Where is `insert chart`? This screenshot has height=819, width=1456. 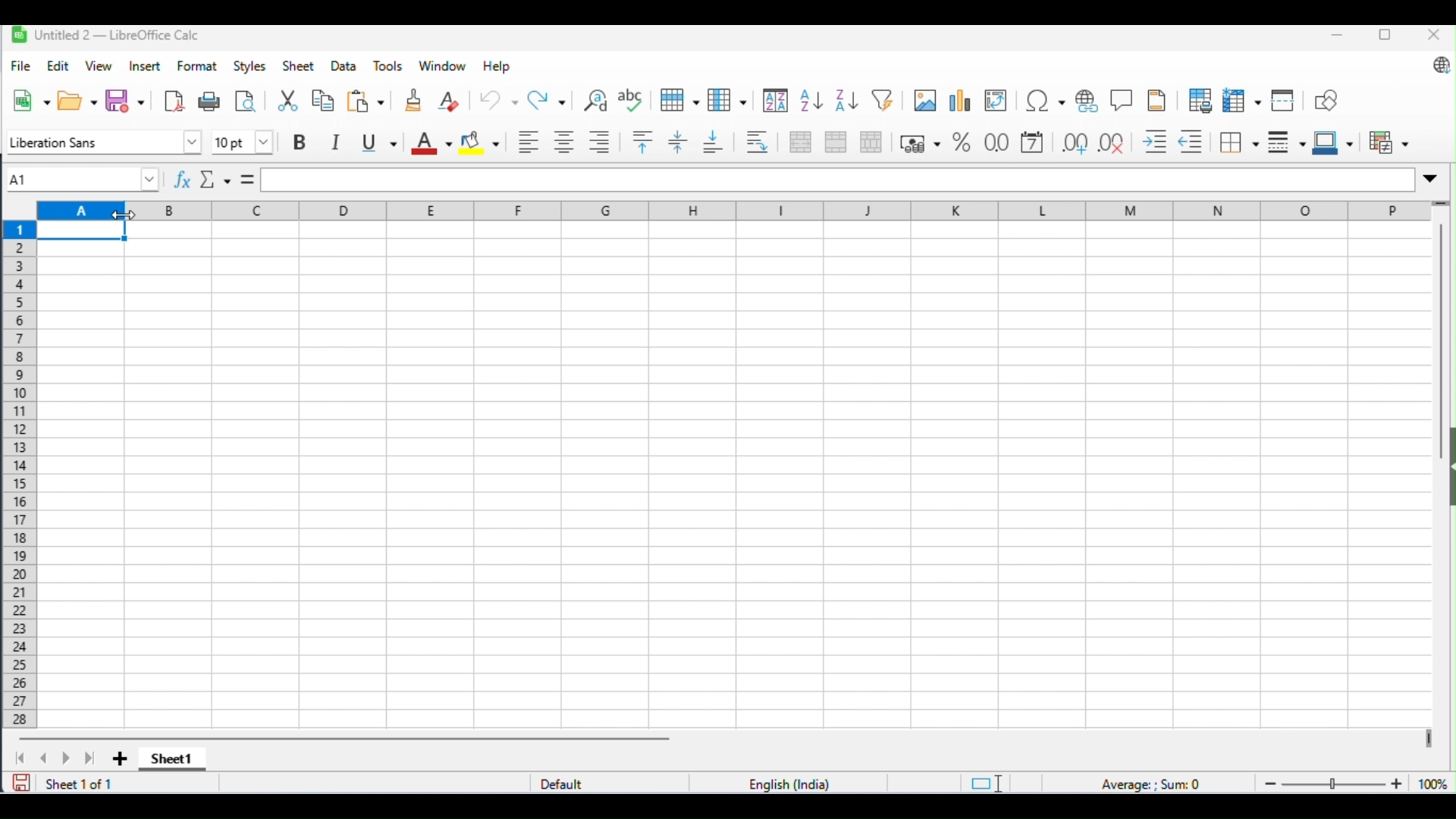 insert chart is located at coordinates (959, 102).